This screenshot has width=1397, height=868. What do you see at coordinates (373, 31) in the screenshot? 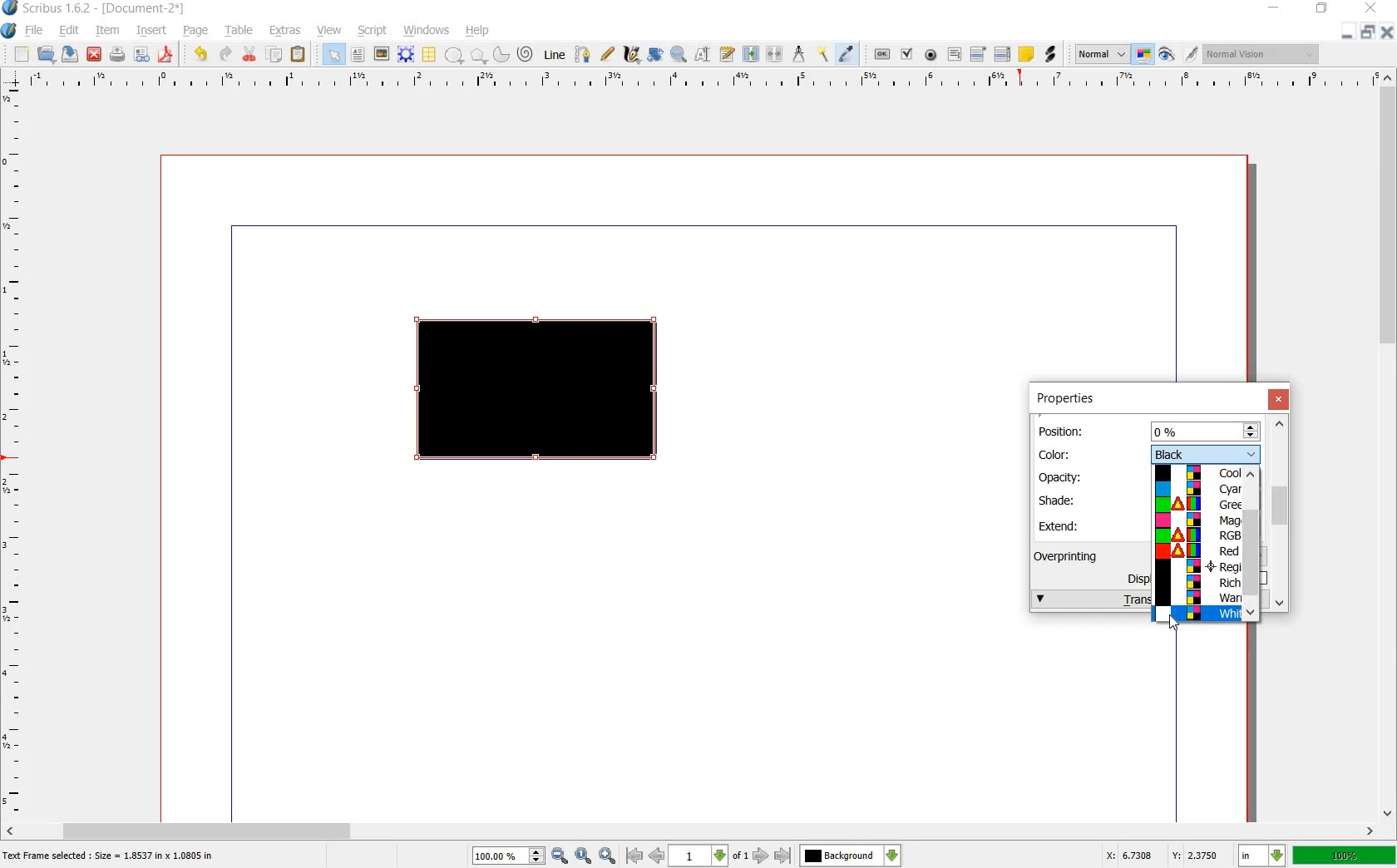
I see `script` at bounding box center [373, 31].